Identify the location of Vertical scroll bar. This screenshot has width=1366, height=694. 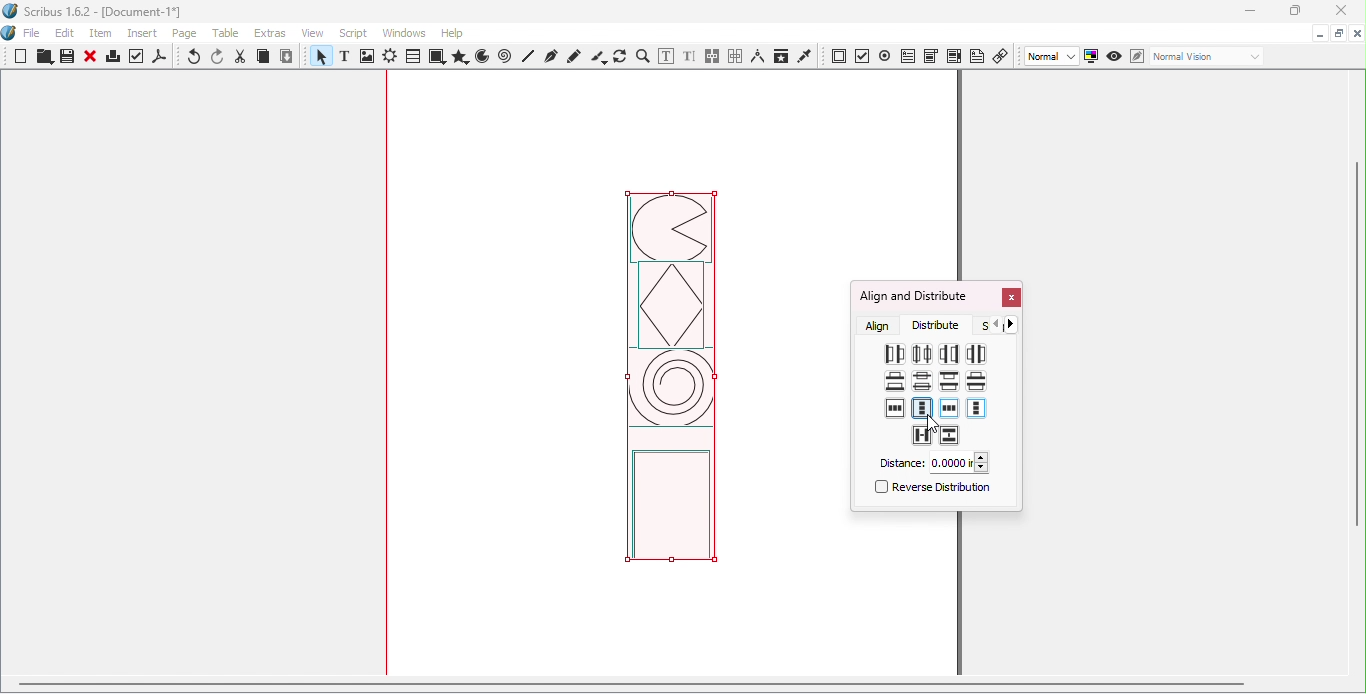
(1358, 375).